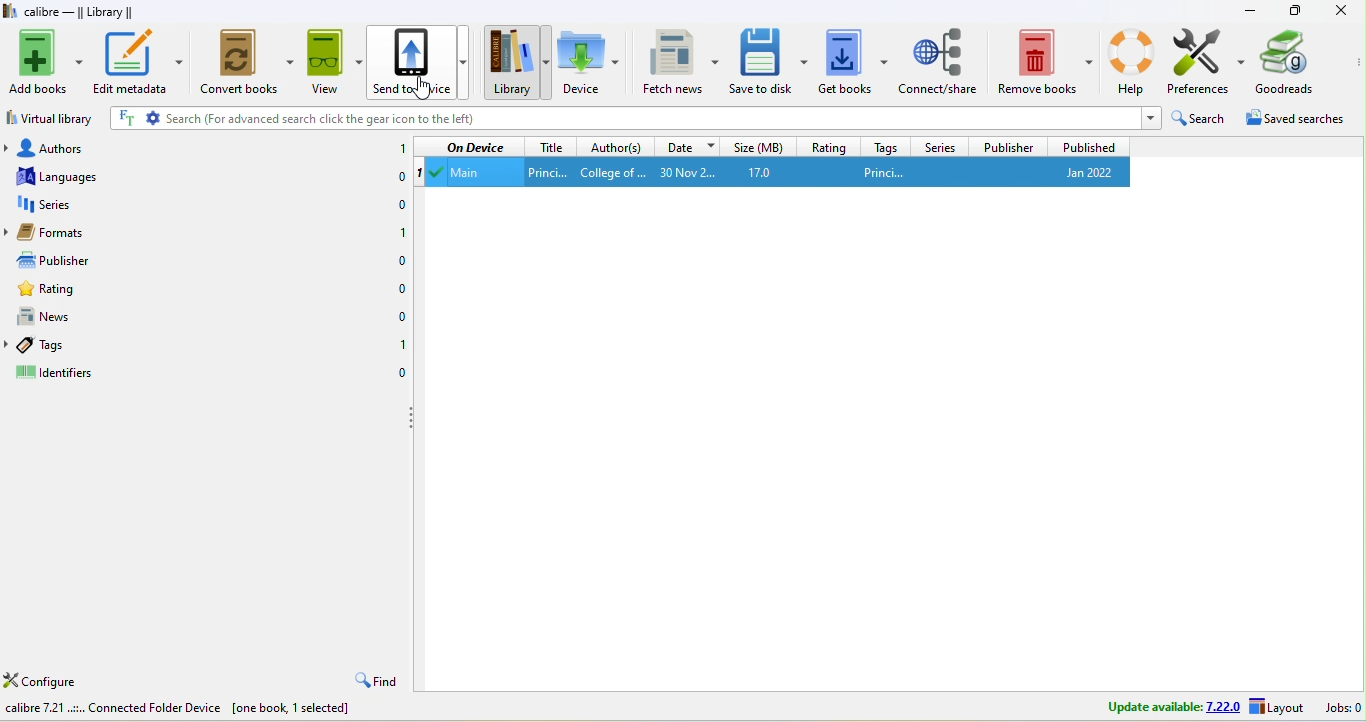 The image size is (1366, 722). Describe the element at coordinates (1209, 62) in the screenshot. I see `preferences` at that location.